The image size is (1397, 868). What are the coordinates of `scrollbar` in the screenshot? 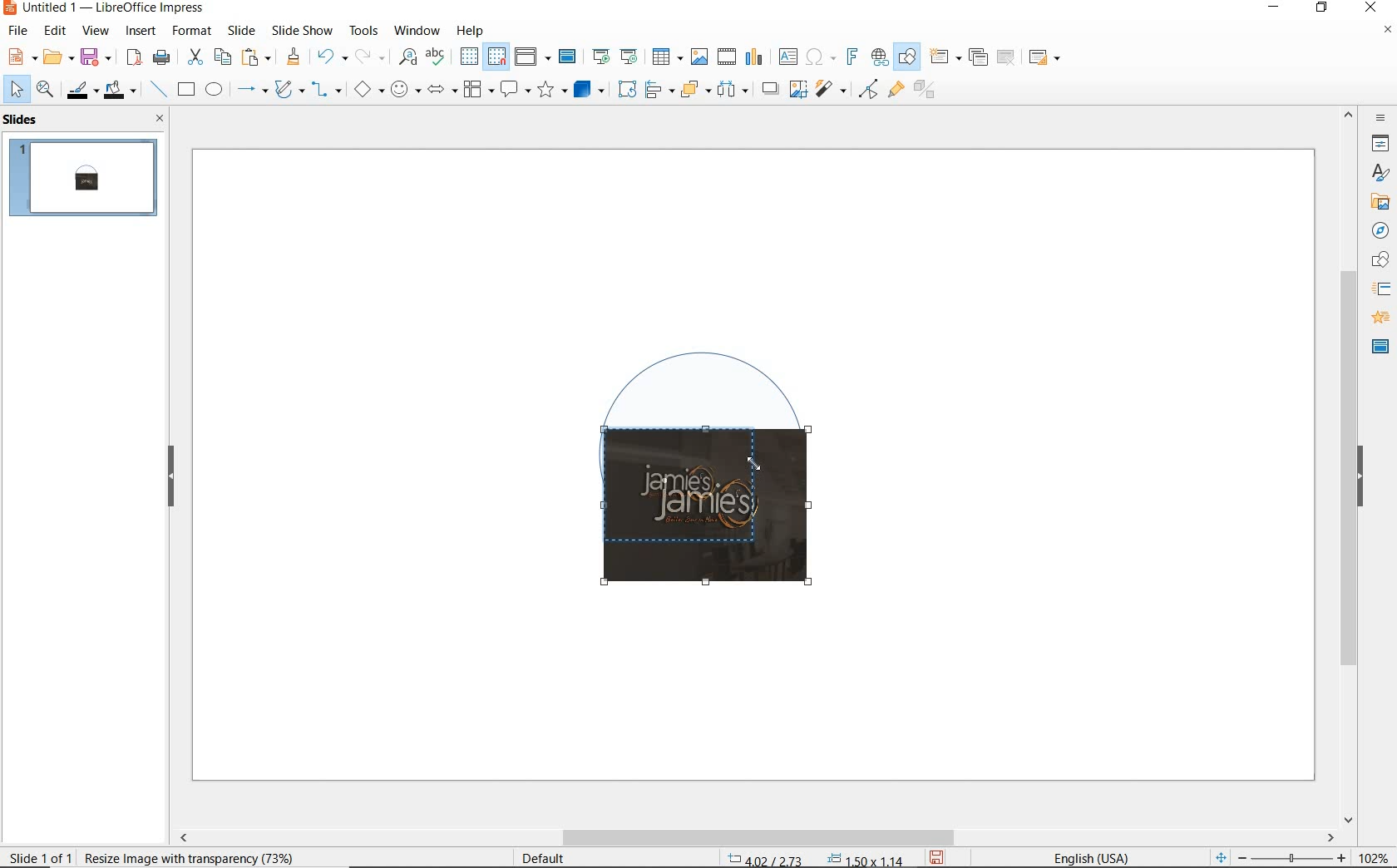 It's located at (1349, 465).